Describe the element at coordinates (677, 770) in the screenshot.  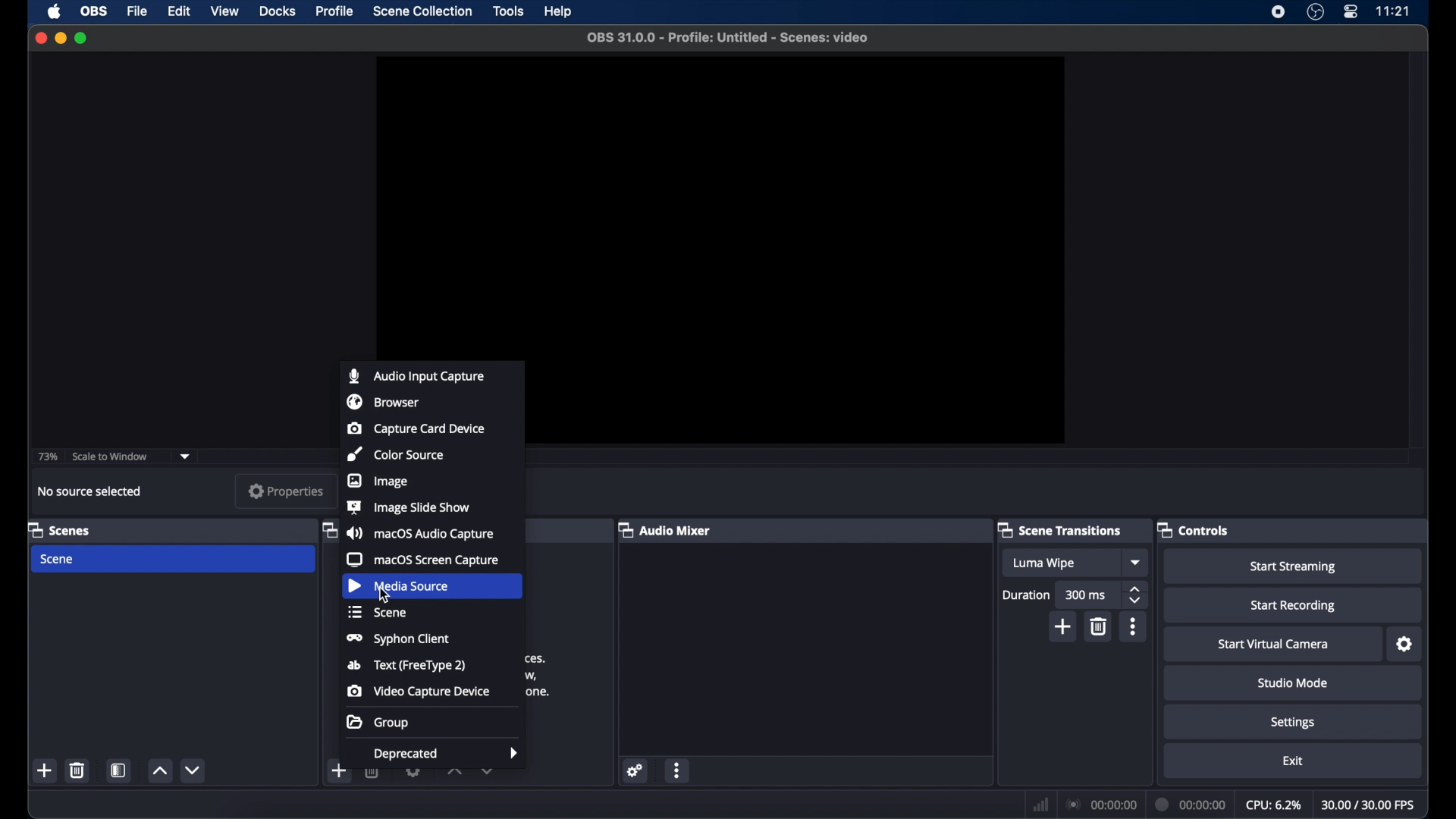
I see `more options` at that location.